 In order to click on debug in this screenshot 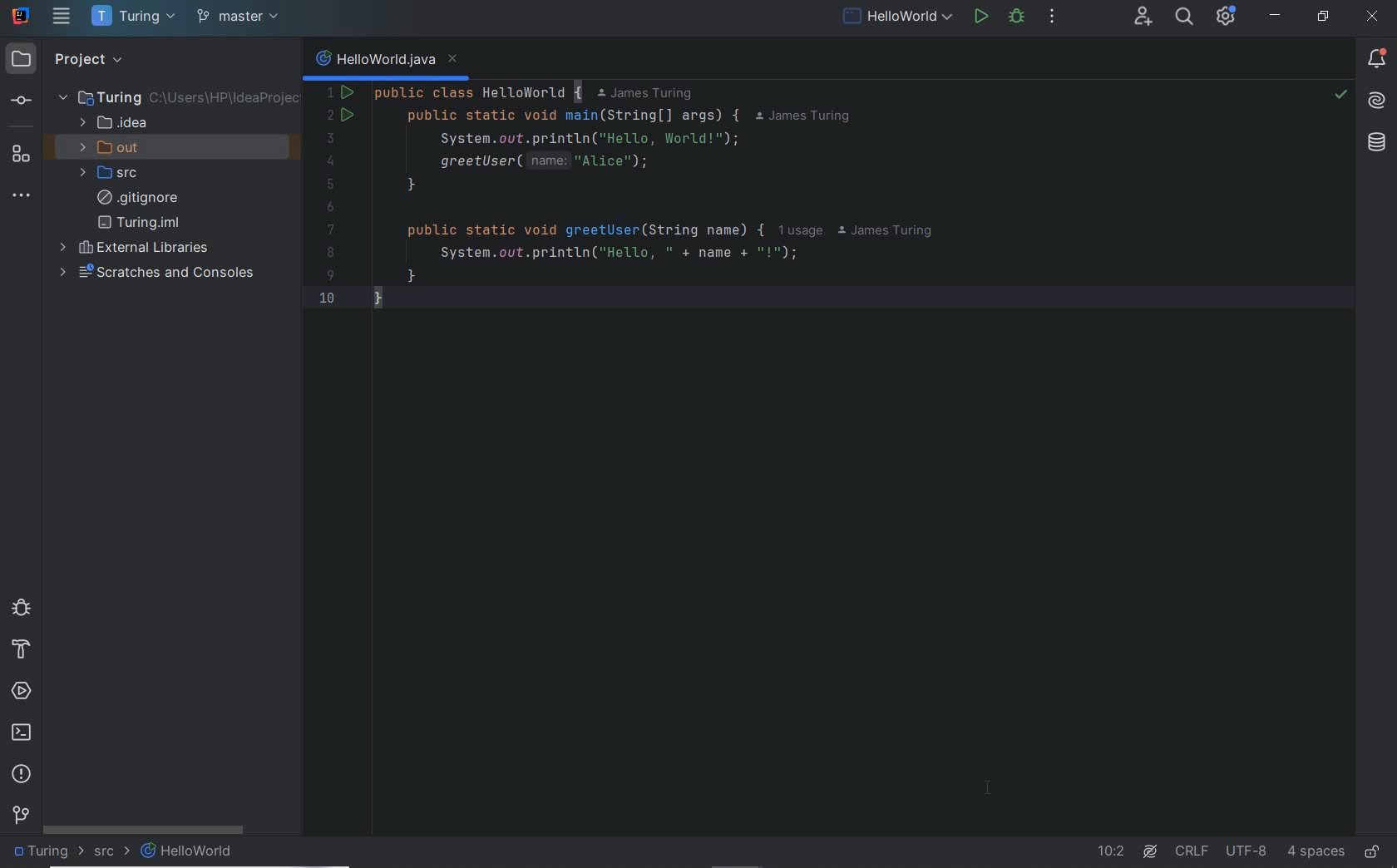, I will do `click(19, 606)`.